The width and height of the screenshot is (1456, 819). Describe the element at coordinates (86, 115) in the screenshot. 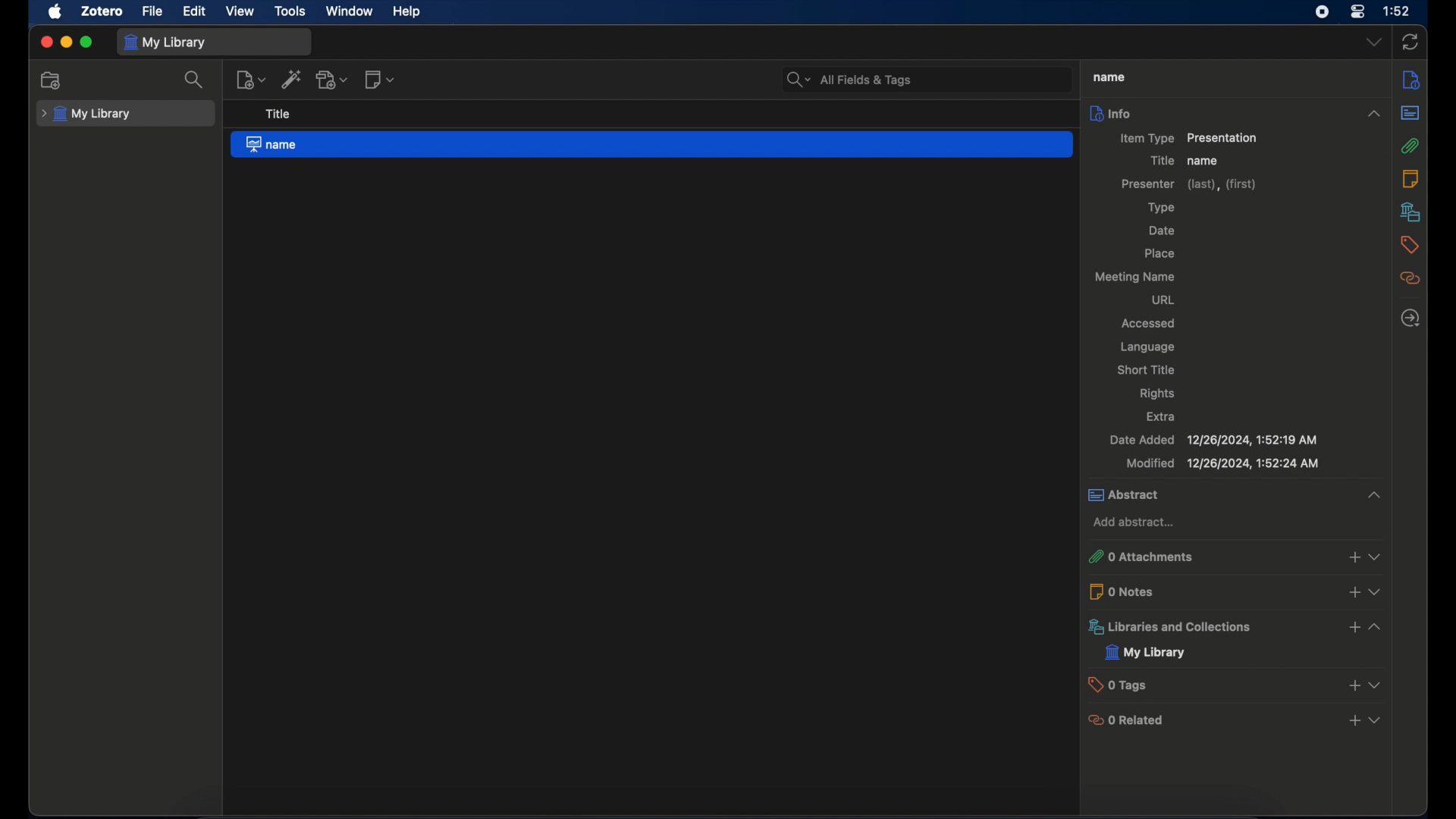

I see `my library` at that location.